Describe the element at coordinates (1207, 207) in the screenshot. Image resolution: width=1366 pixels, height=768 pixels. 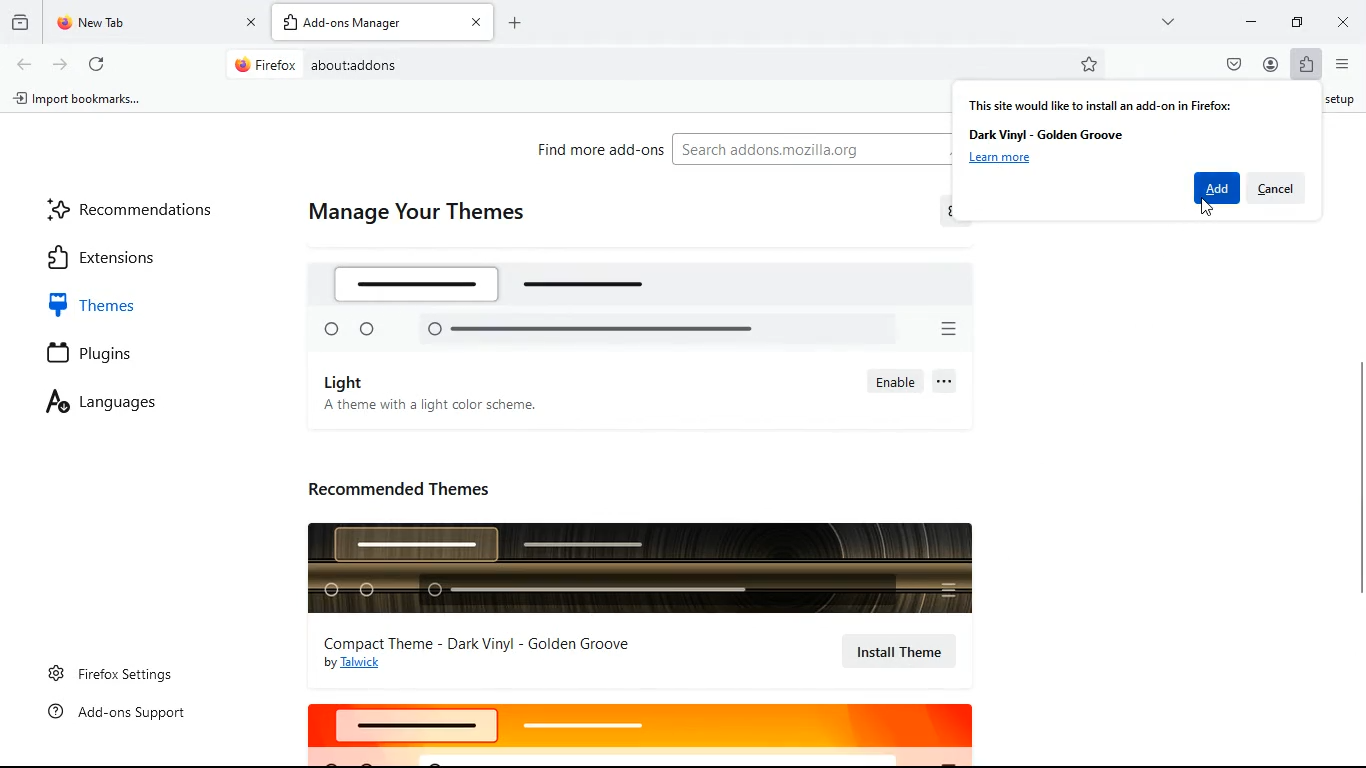
I see `Cursor` at that location.